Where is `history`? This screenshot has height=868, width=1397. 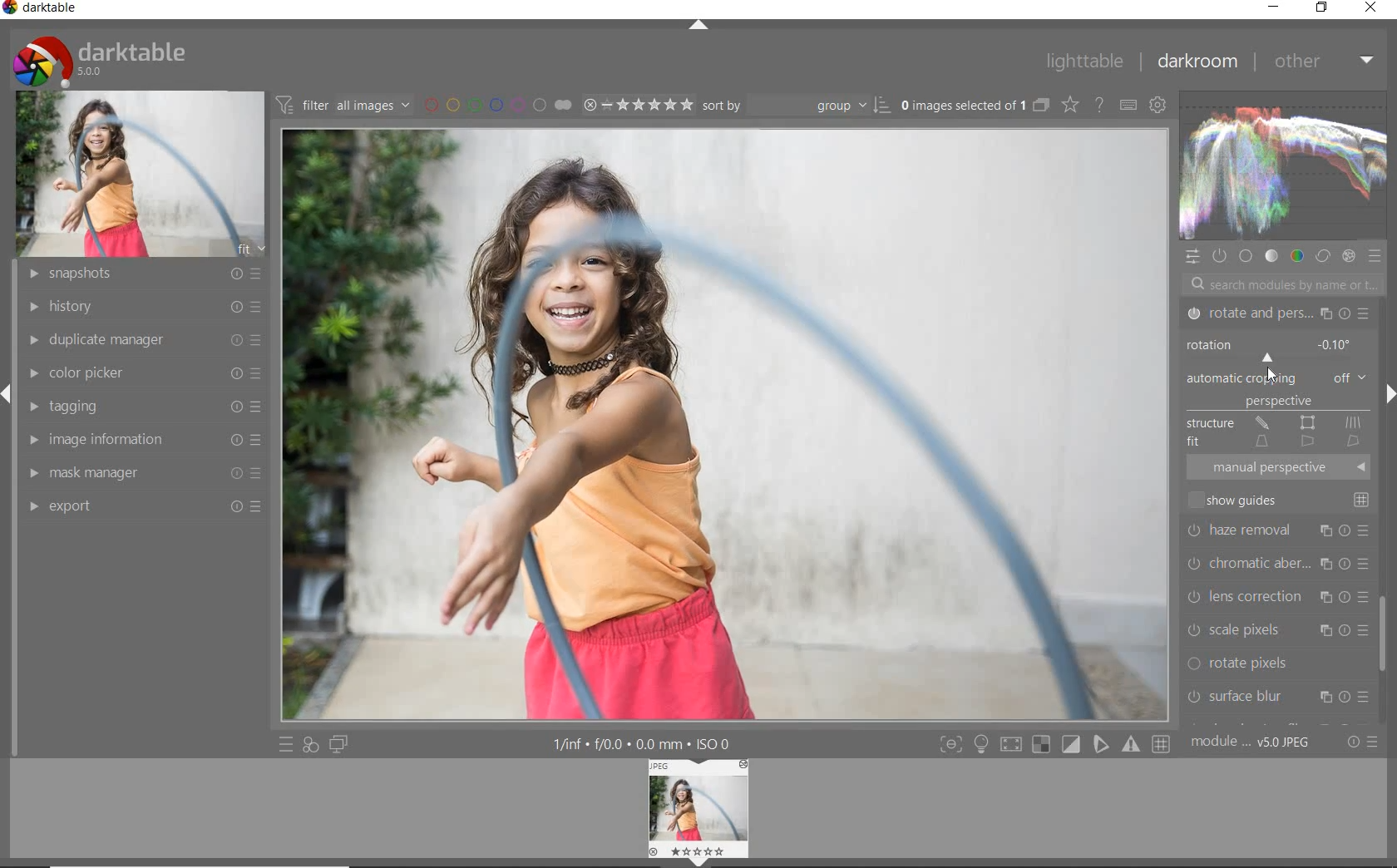
history is located at coordinates (146, 306).